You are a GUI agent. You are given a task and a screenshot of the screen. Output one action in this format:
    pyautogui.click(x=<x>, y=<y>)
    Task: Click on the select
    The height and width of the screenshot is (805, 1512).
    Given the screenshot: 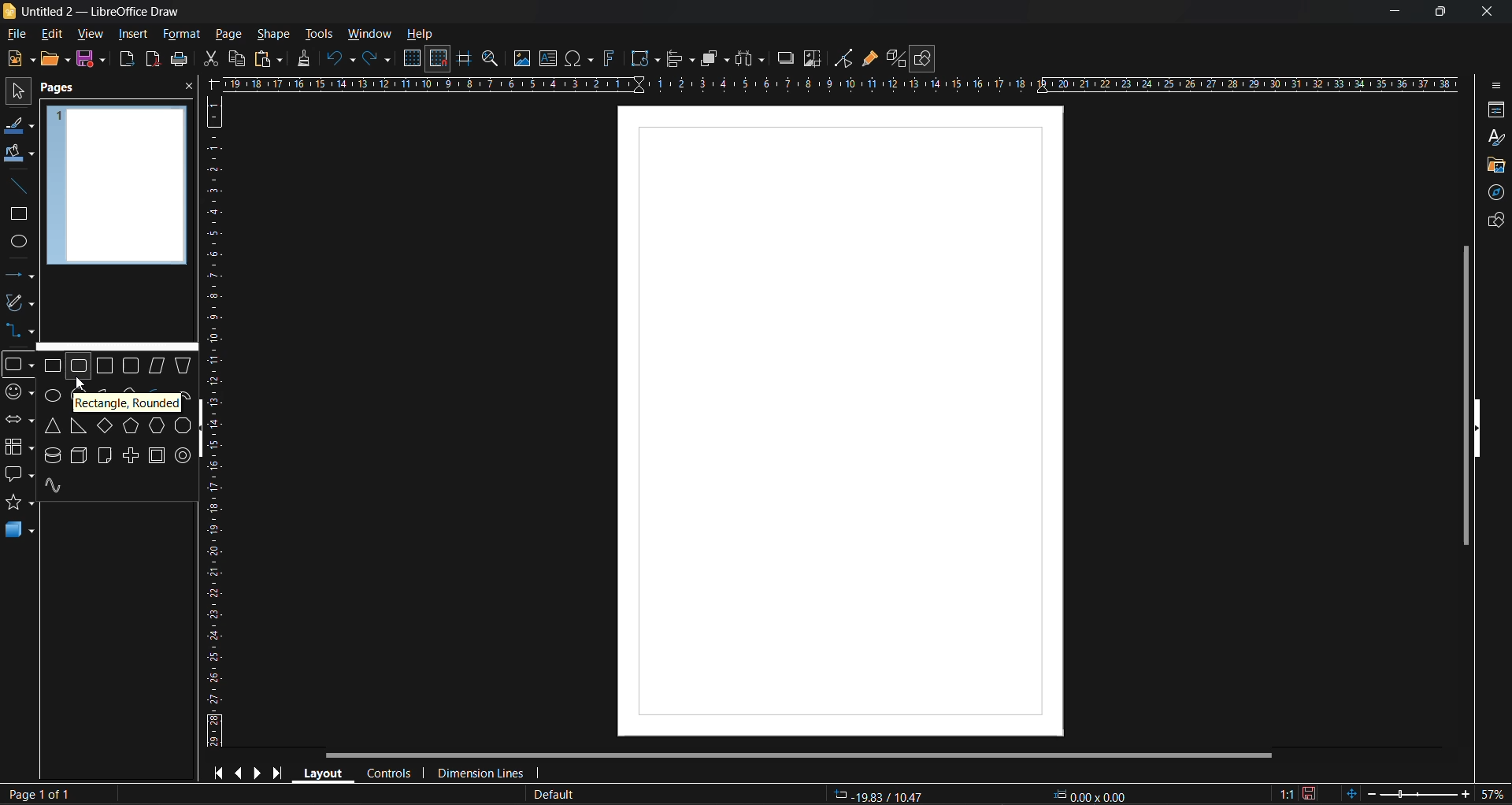 What is the action you would take?
    pyautogui.click(x=17, y=88)
    